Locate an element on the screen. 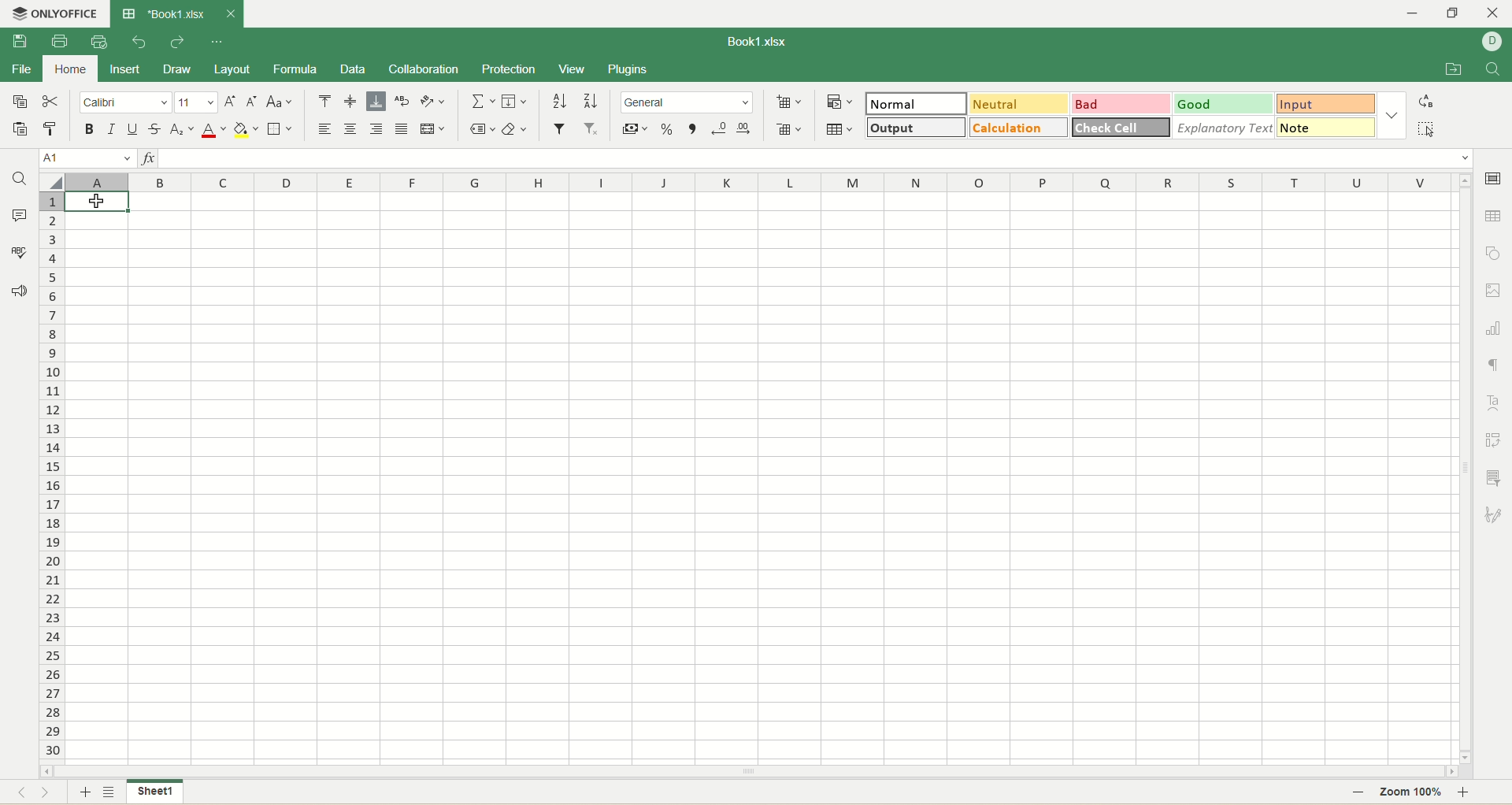  vertical scroll bar is located at coordinates (1463, 467).